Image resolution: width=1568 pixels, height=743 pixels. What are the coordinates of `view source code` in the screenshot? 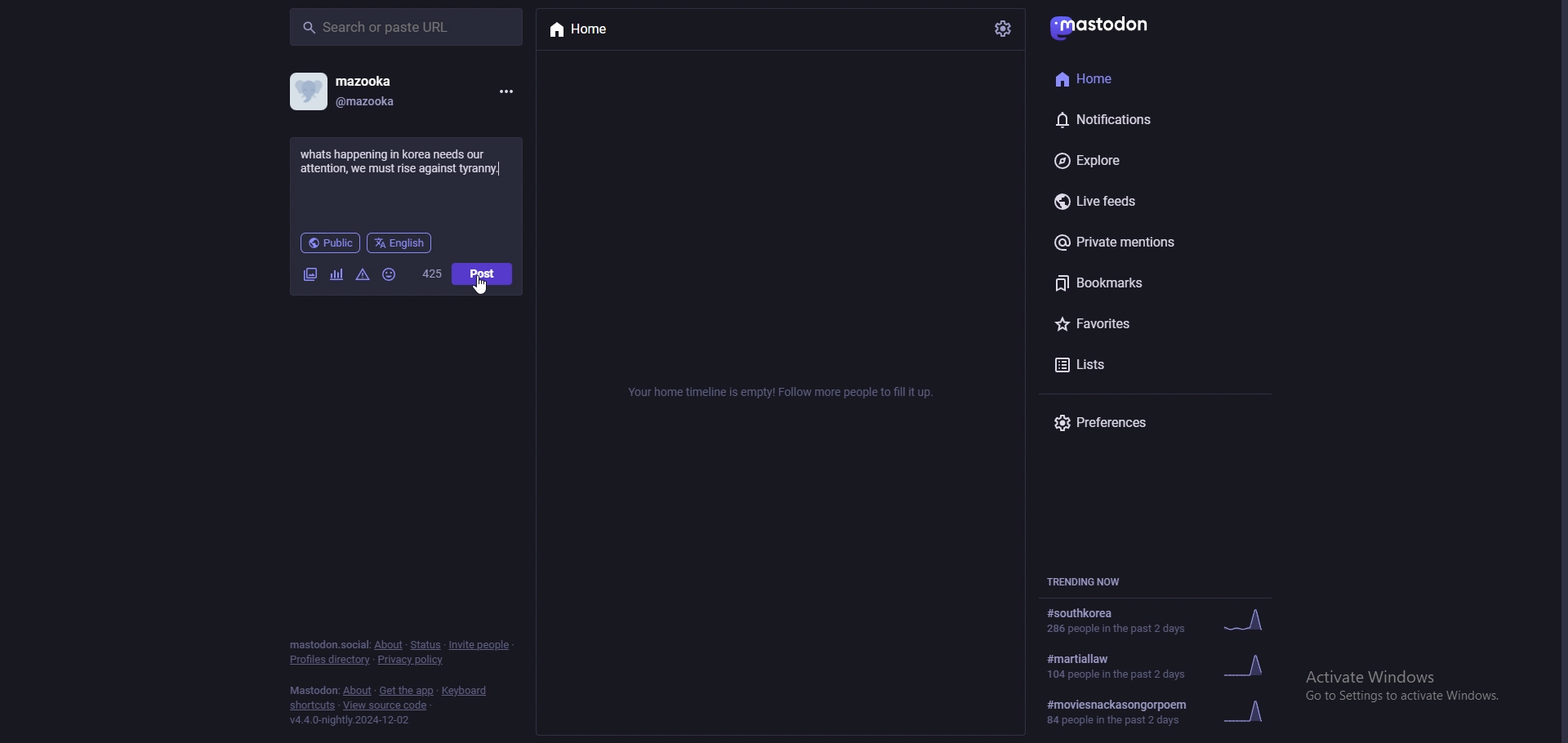 It's located at (388, 705).